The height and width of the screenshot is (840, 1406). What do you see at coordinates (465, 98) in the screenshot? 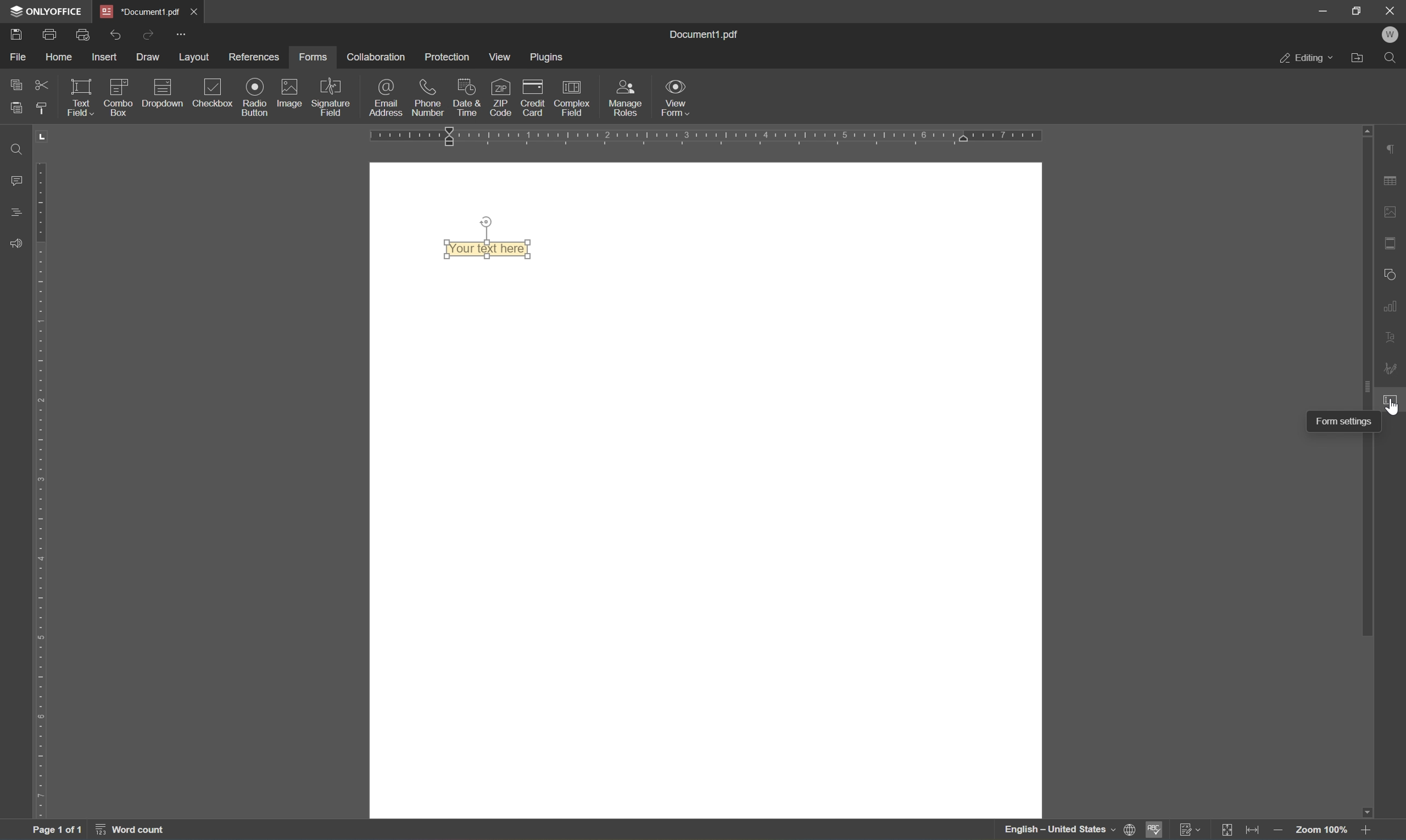
I see `date and time` at bounding box center [465, 98].